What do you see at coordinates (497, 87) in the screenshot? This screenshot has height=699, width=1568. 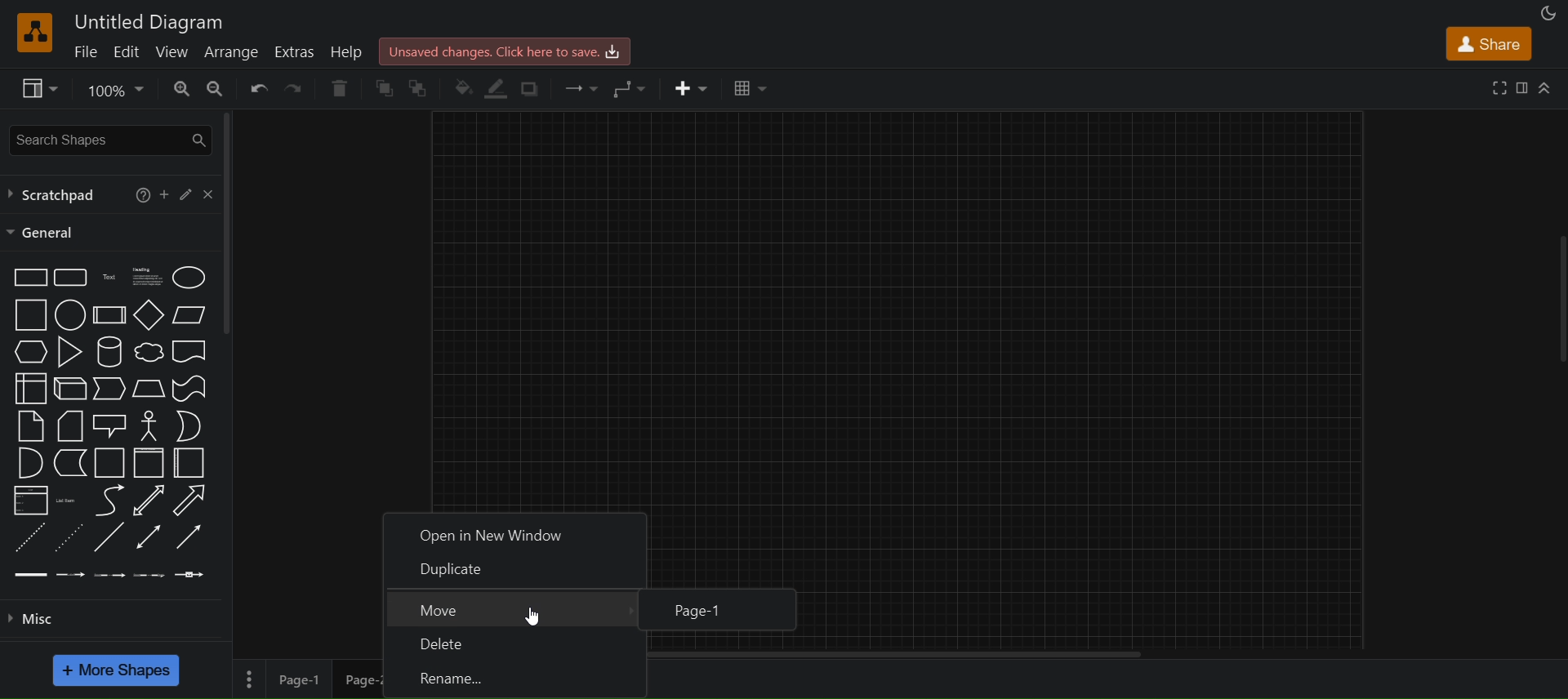 I see `line color` at bounding box center [497, 87].